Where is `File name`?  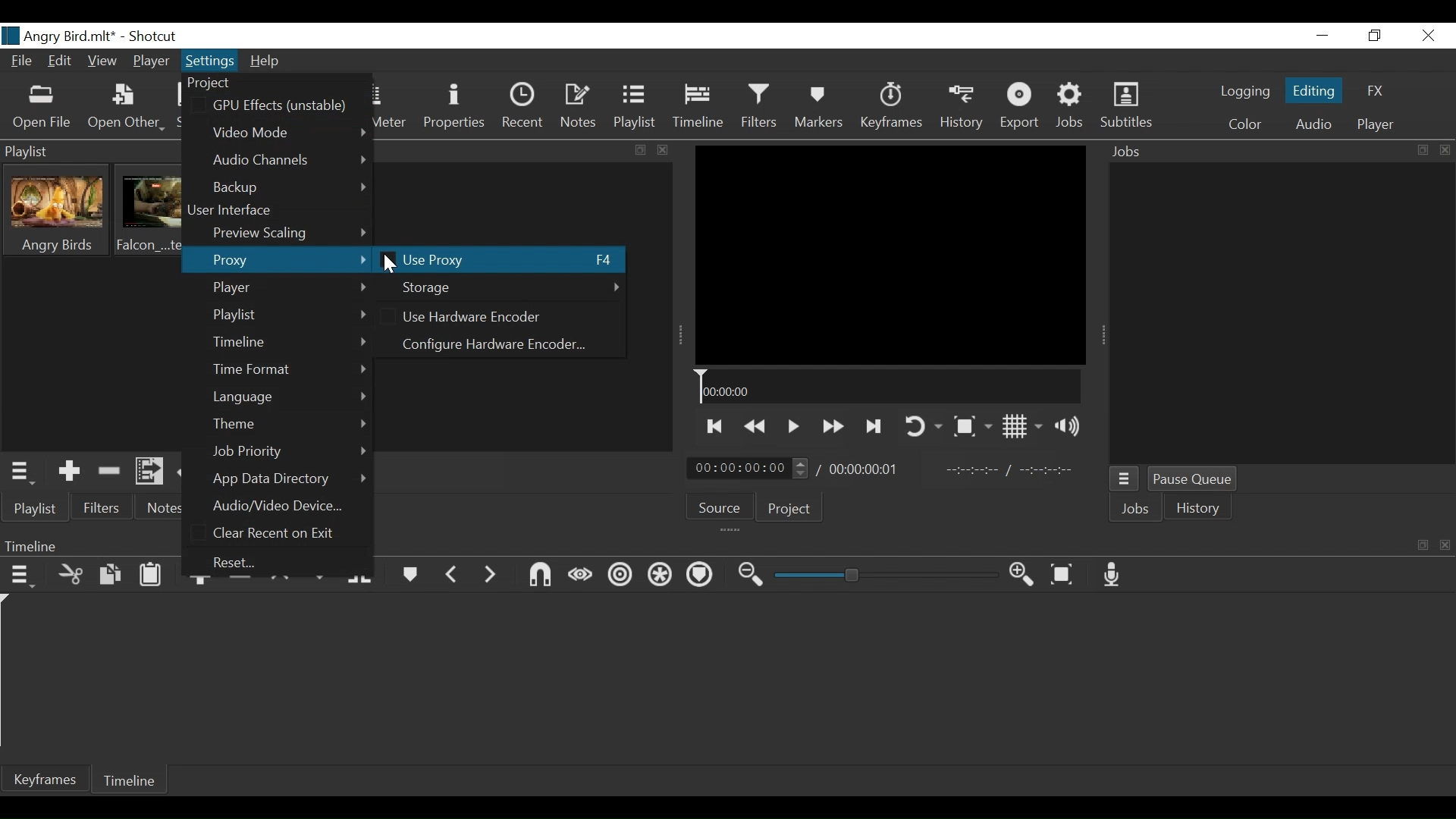
File name is located at coordinates (62, 35).